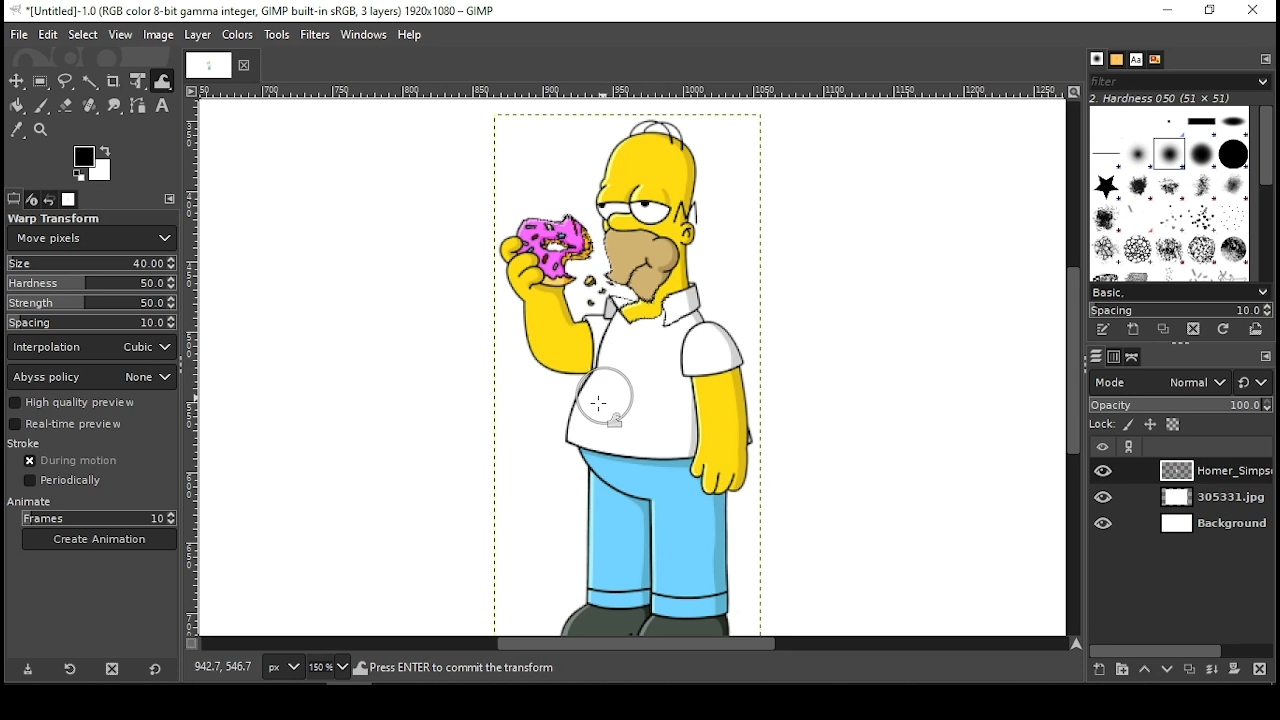  What do you see at coordinates (92, 303) in the screenshot?
I see `strength` at bounding box center [92, 303].